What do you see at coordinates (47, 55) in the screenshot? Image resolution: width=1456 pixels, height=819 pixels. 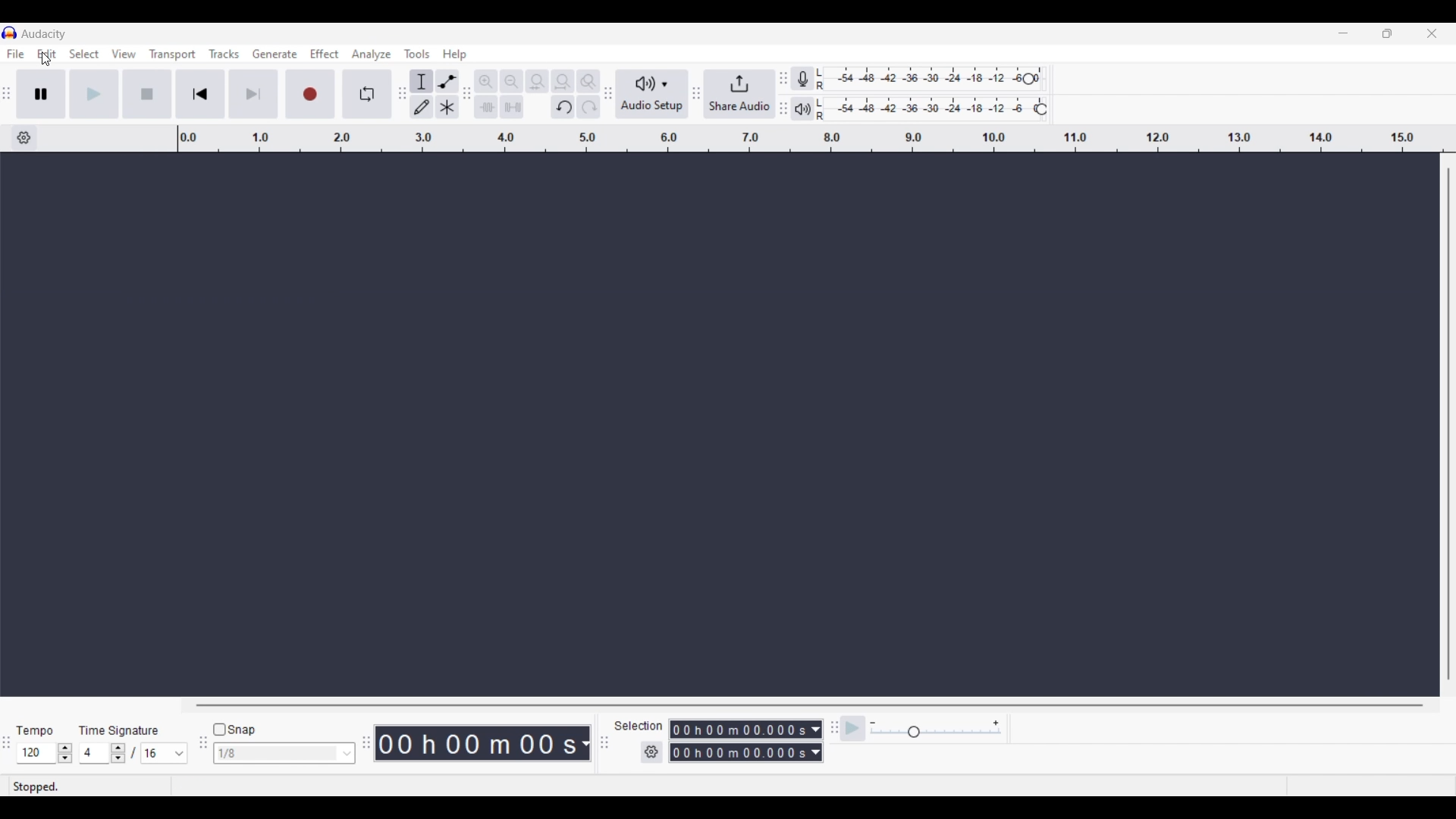 I see `Edit menu` at bounding box center [47, 55].